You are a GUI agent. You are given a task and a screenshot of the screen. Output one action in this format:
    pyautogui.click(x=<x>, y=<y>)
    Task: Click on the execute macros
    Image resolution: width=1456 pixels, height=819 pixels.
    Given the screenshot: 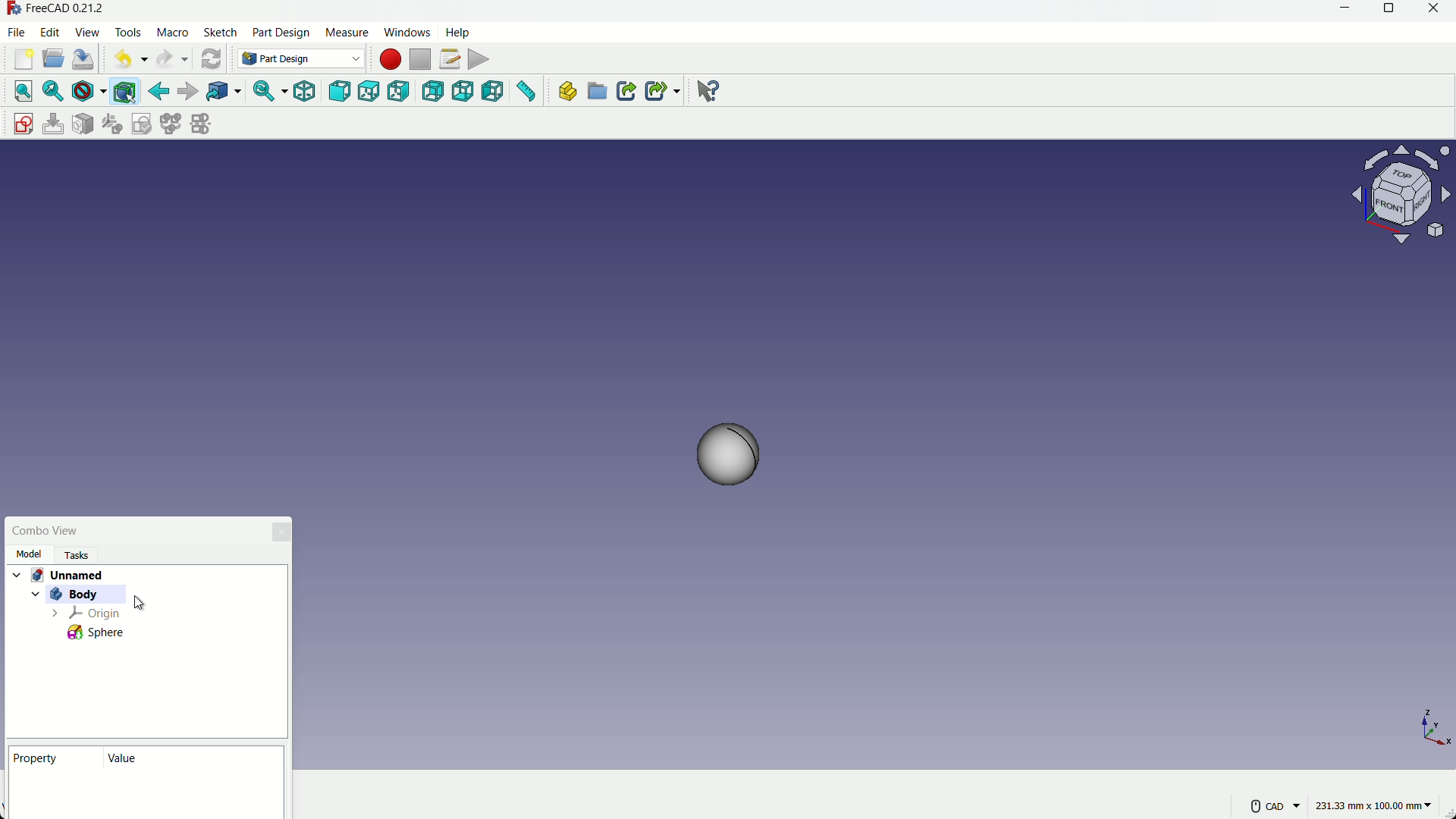 What is the action you would take?
    pyautogui.click(x=479, y=59)
    